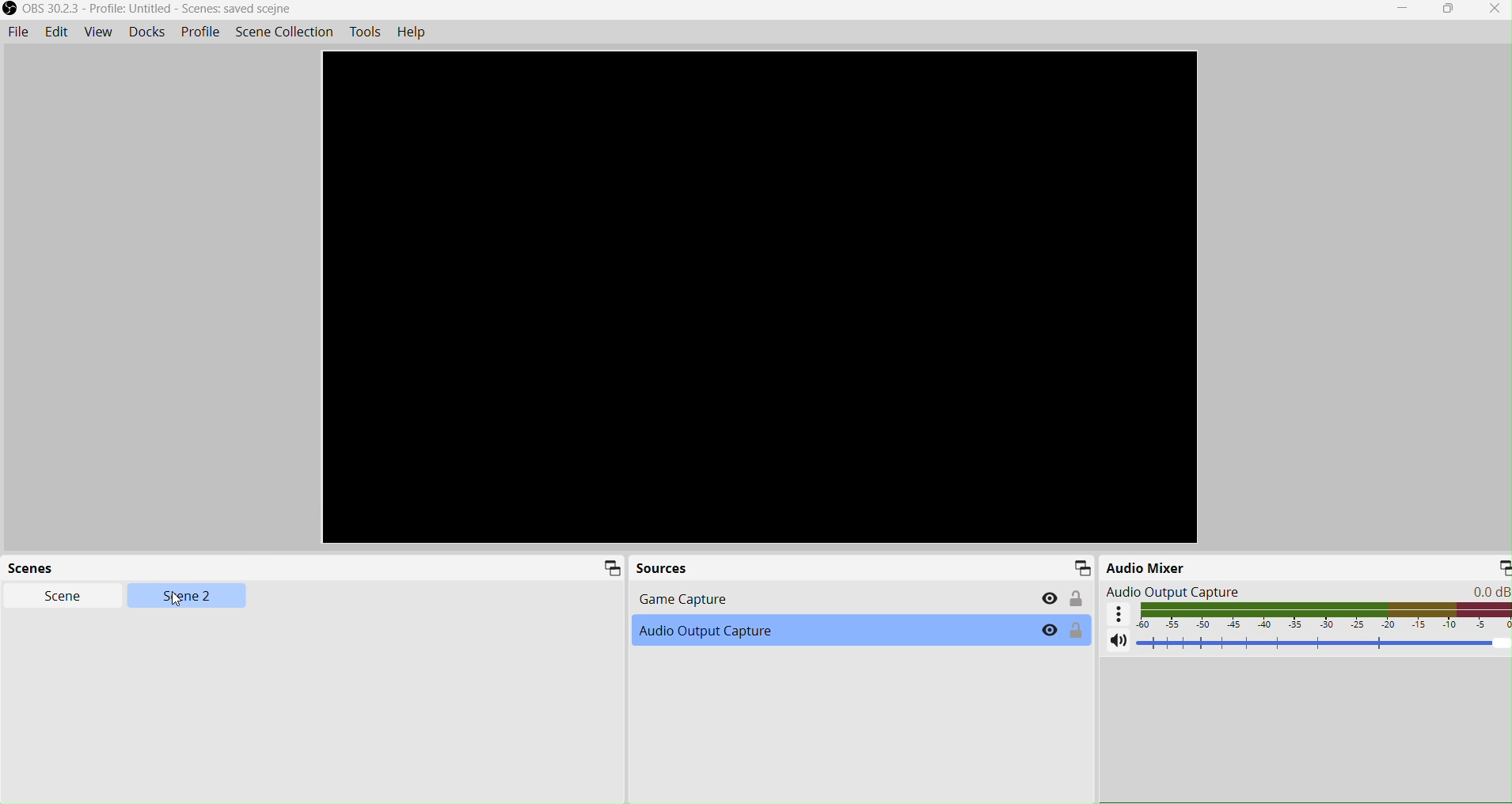 The width and height of the screenshot is (1512, 804). I want to click on Audio Mixer, so click(1146, 569).